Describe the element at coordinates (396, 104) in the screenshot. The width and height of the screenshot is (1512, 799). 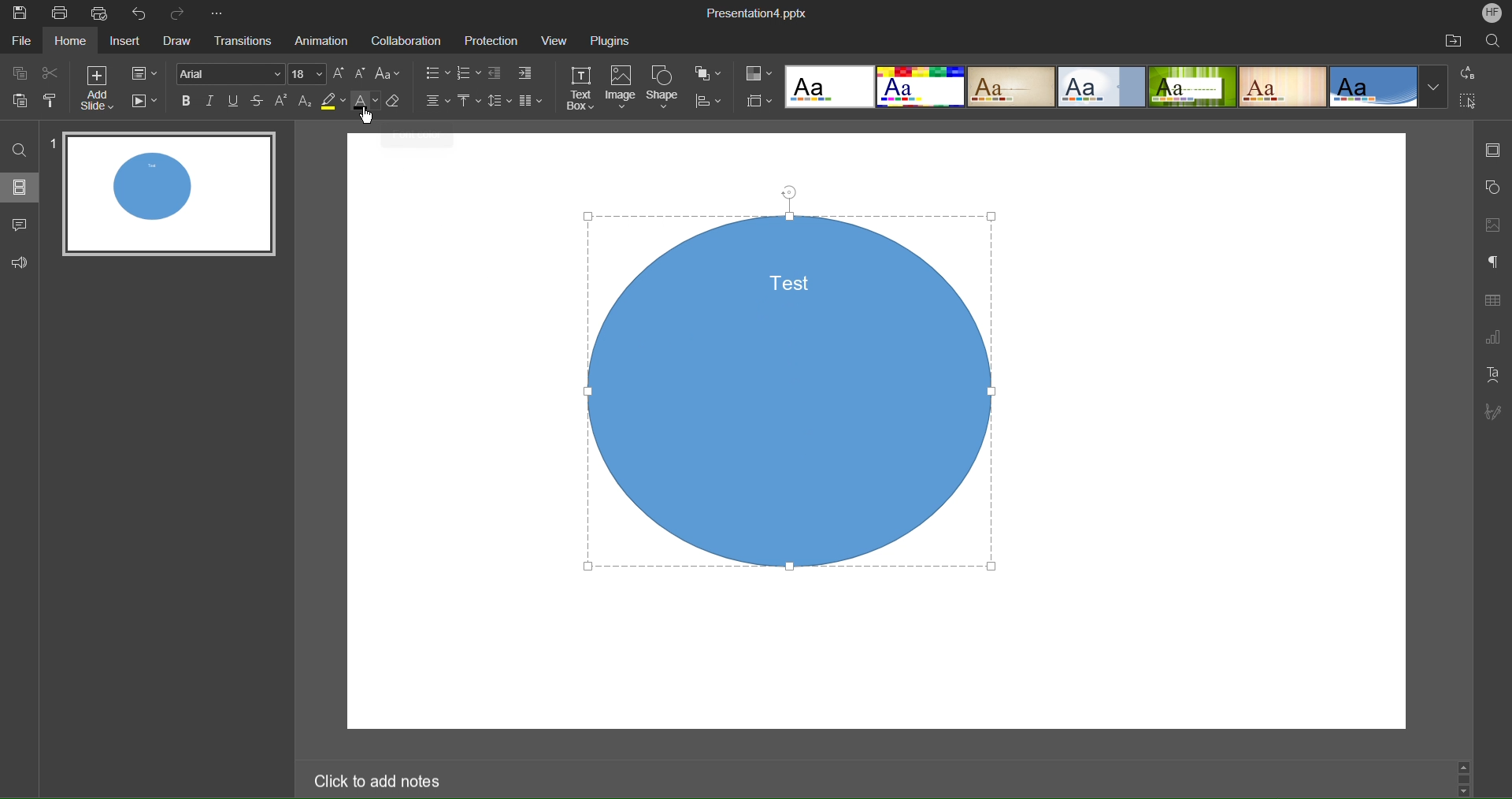
I see `Erase Style` at that location.